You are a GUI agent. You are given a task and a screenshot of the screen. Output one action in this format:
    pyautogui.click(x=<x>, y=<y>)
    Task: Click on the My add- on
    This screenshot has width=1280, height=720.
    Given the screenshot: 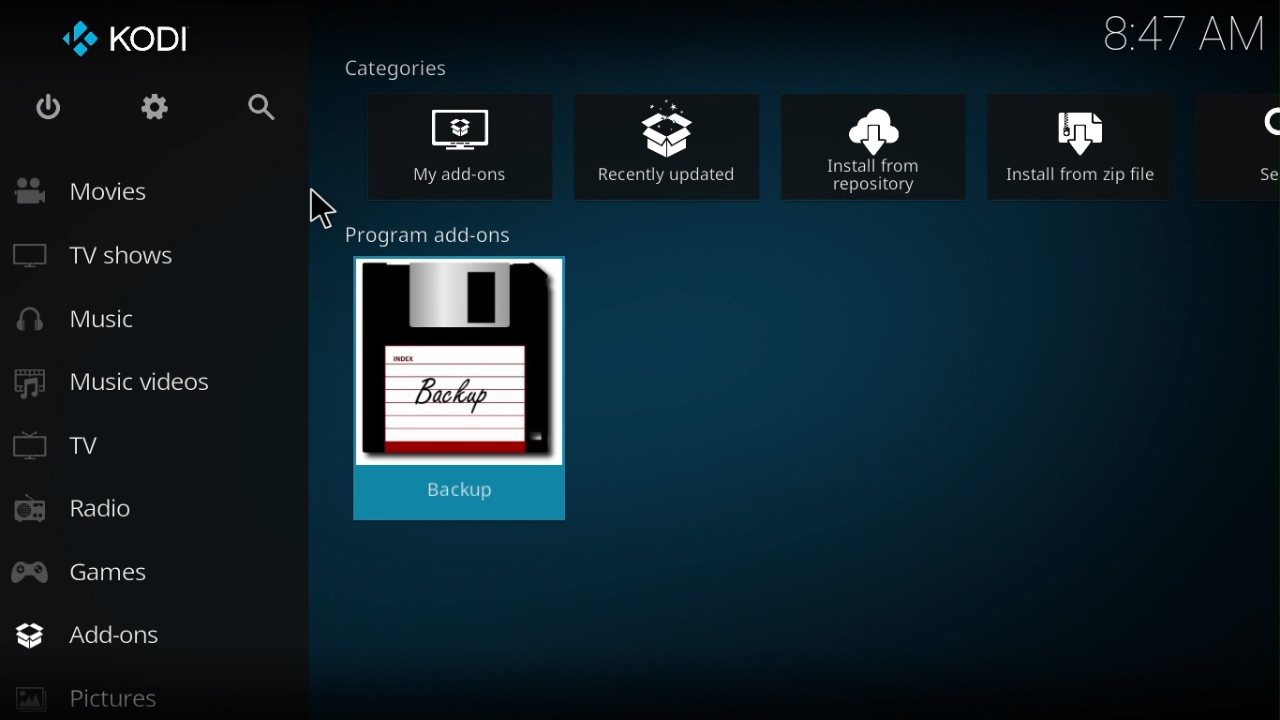 What is the action you would take?
    pyautogui.click(x=477, y=150)
    